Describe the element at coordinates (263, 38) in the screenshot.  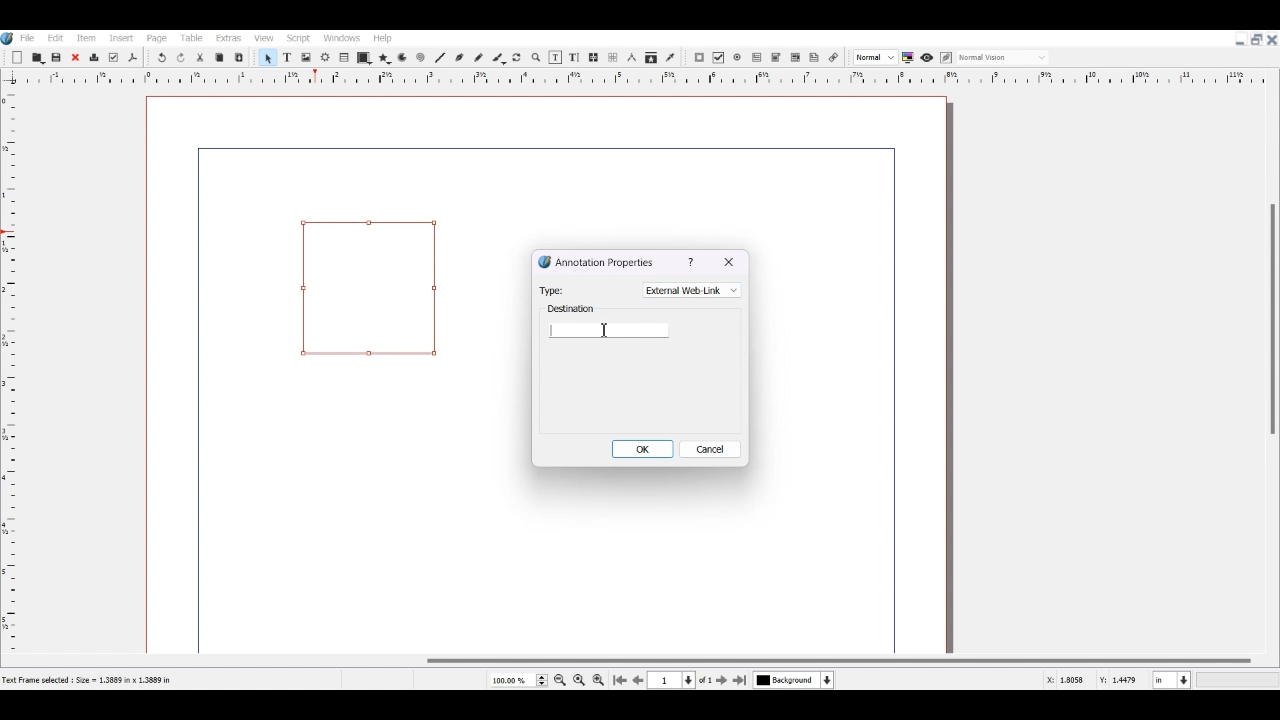
I see `View` at that location.